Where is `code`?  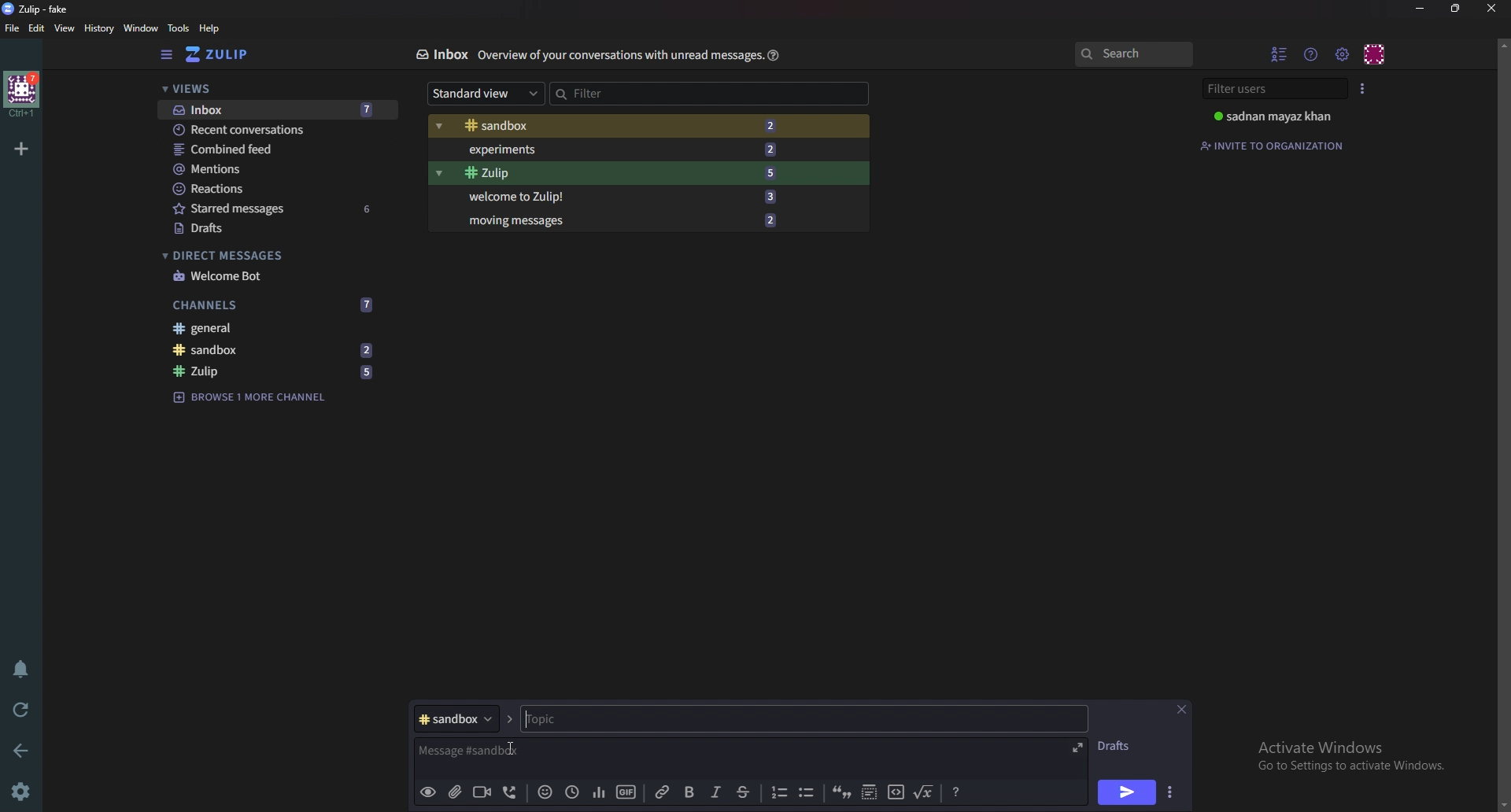 code is located at coordinates (896, 791).